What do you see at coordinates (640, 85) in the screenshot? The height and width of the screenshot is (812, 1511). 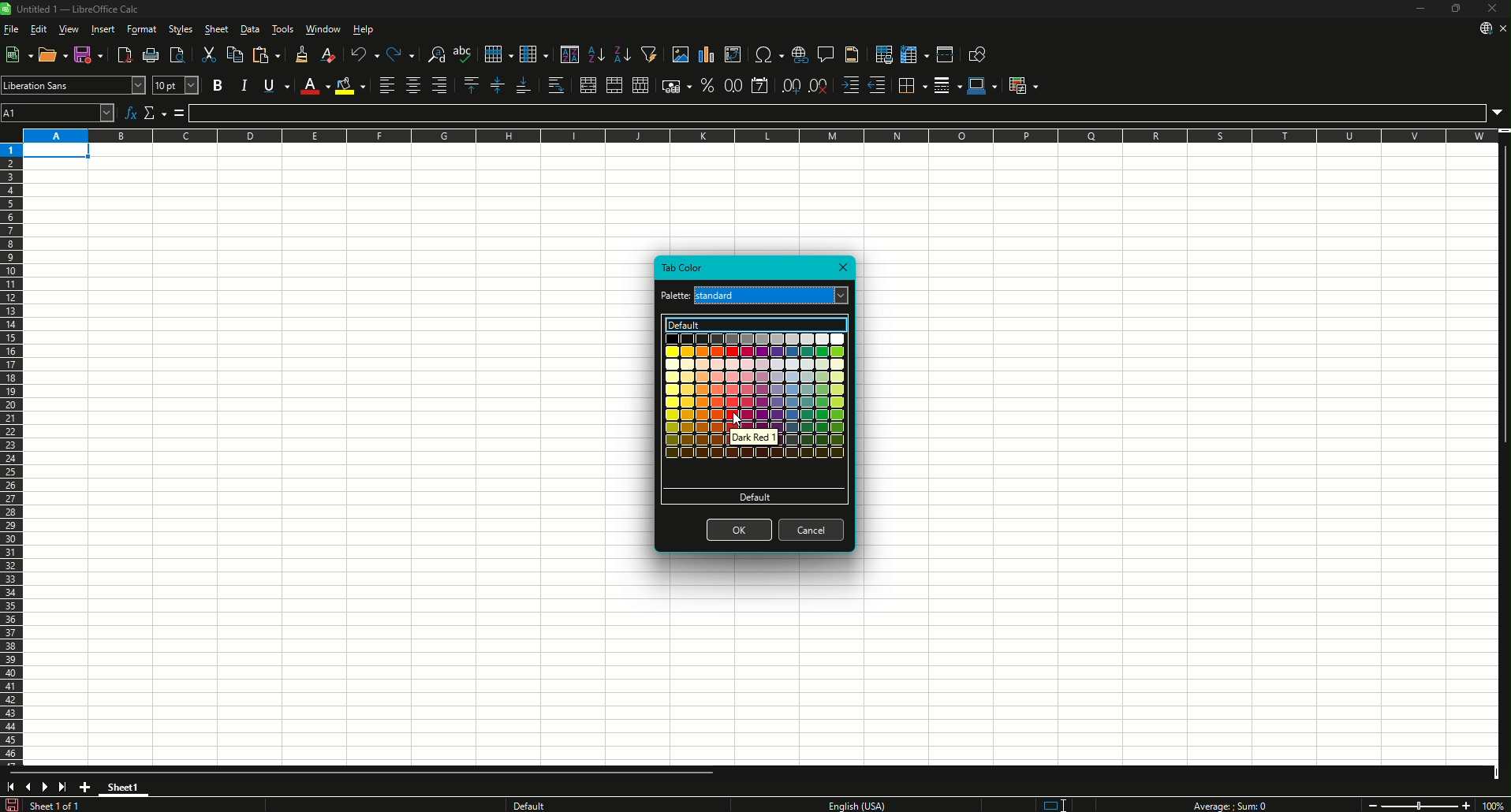 I see `Unmerge Cells` at bounding box center [640, 85].